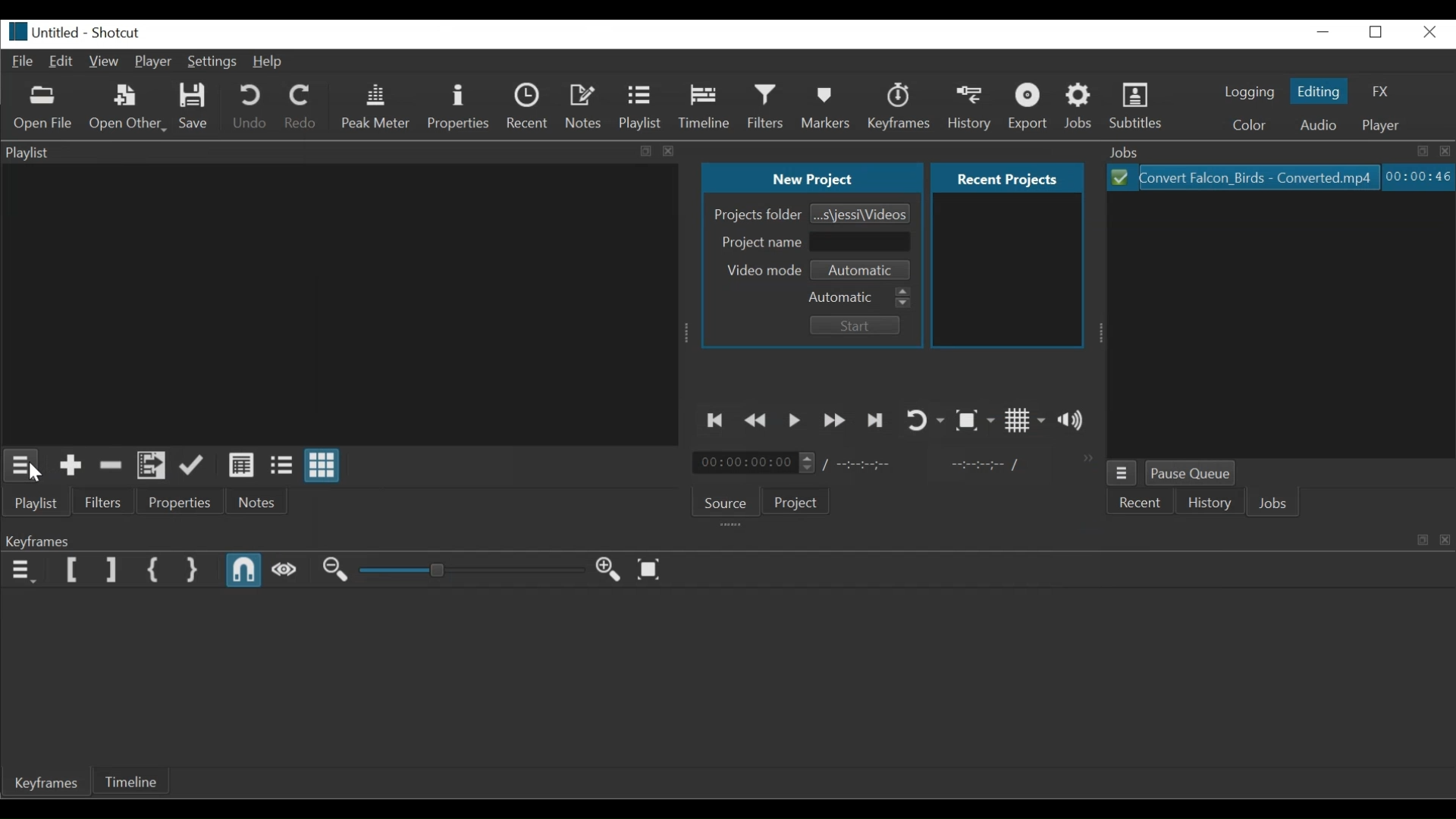 The image size is (1456, 819). Describe the element at coordinates (640, 107) in the screenshot. I see `Playlist` at that location.